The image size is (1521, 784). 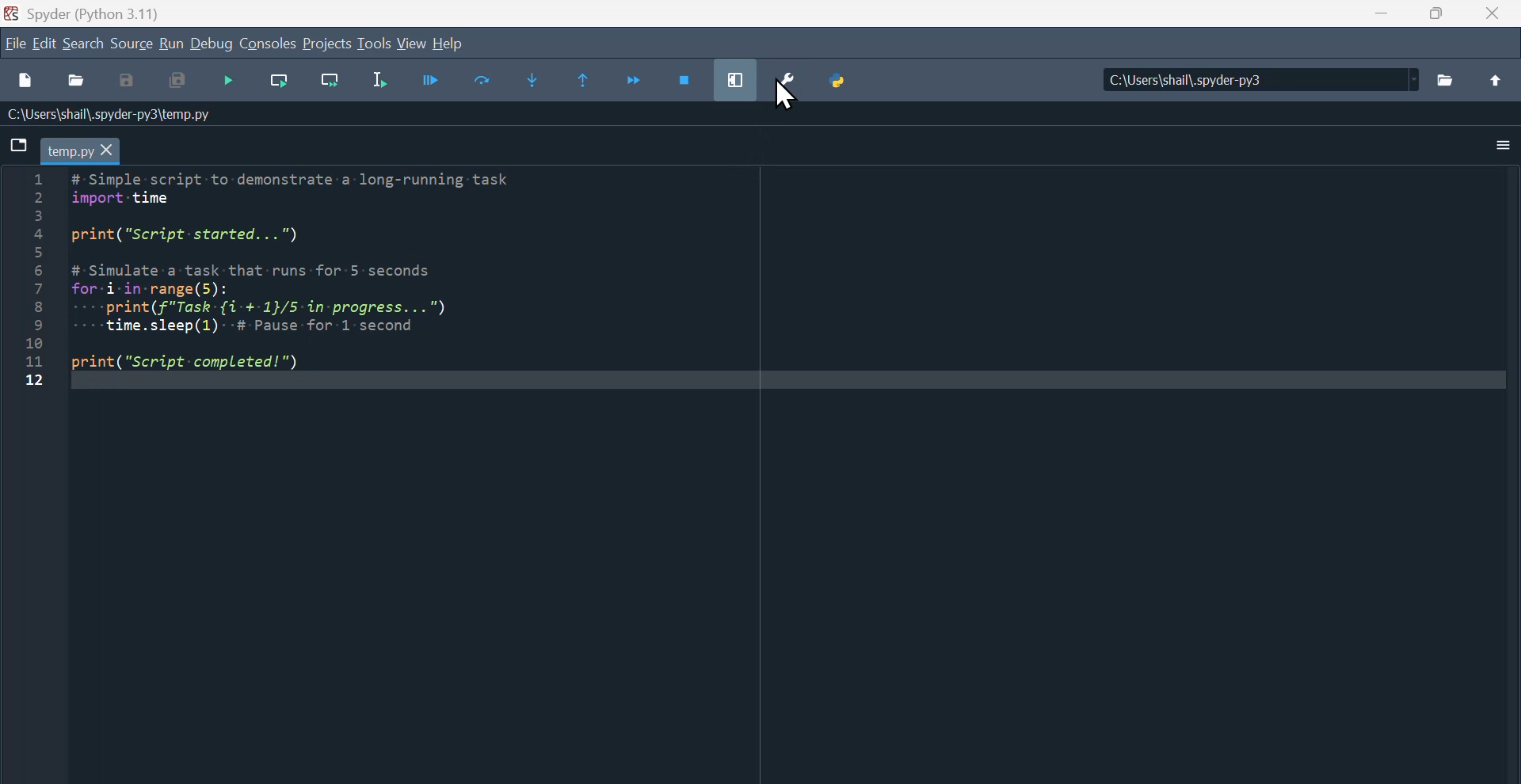 I want to click on Search, so click(x=87, y=45).